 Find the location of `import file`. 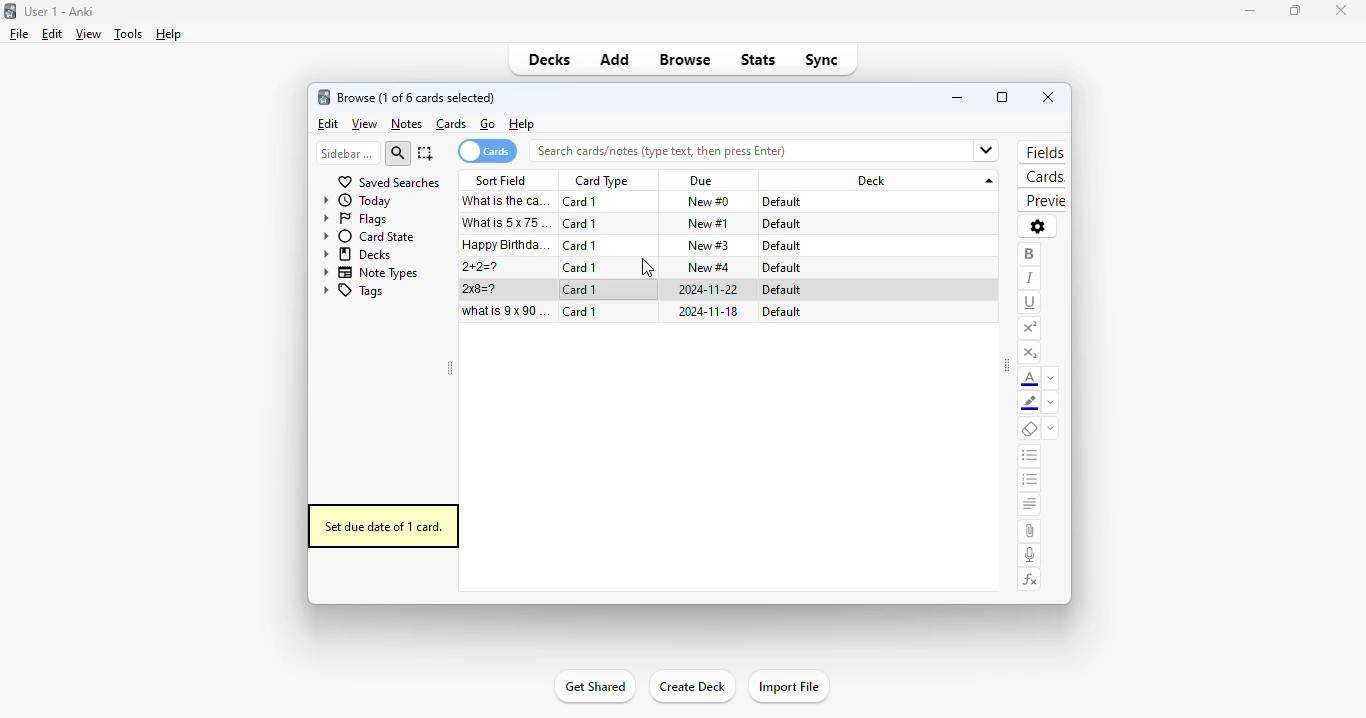

import file is located at coordinates (789, 686).